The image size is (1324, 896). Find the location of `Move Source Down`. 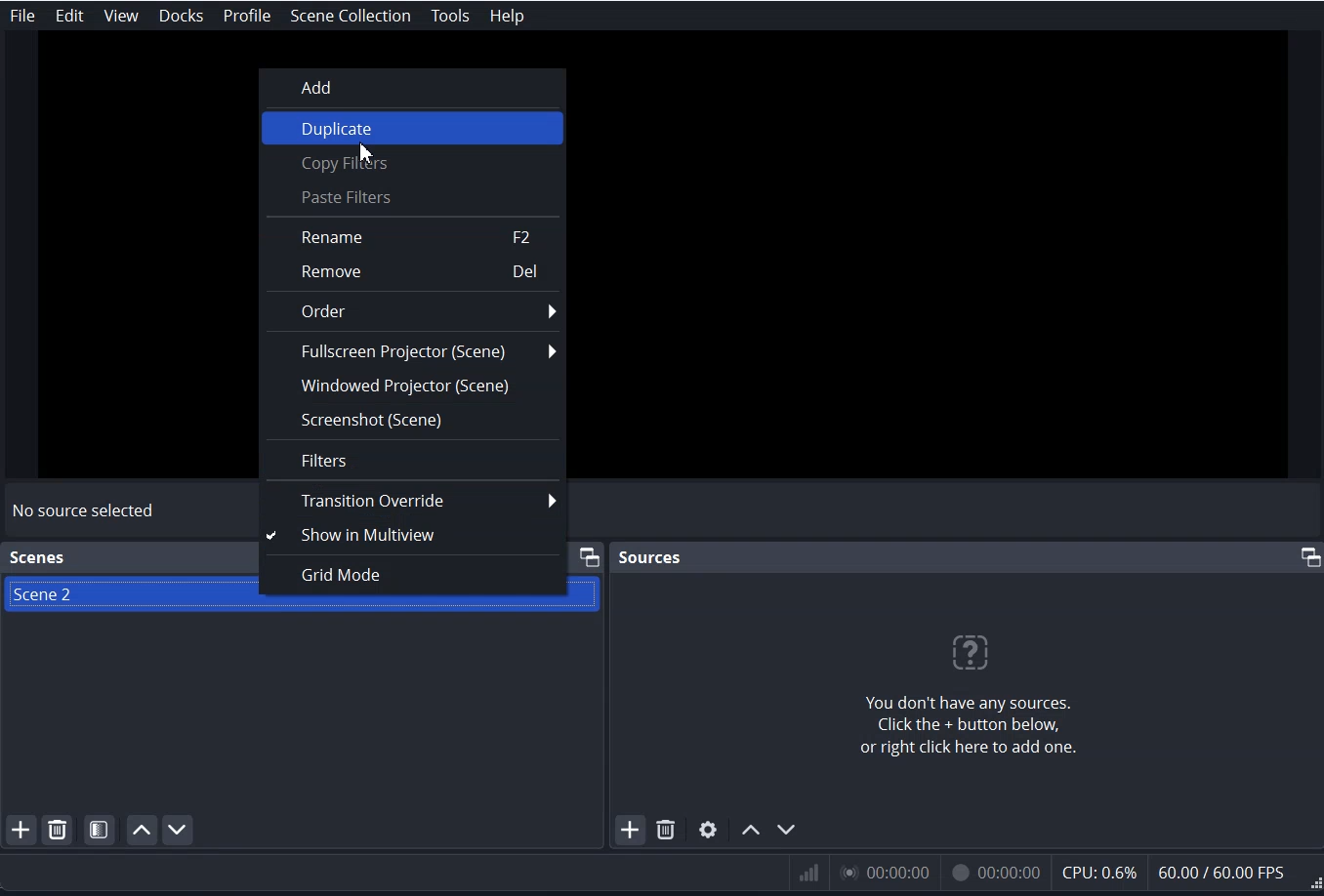

Move Source Down is located at coordinates (787, 830).